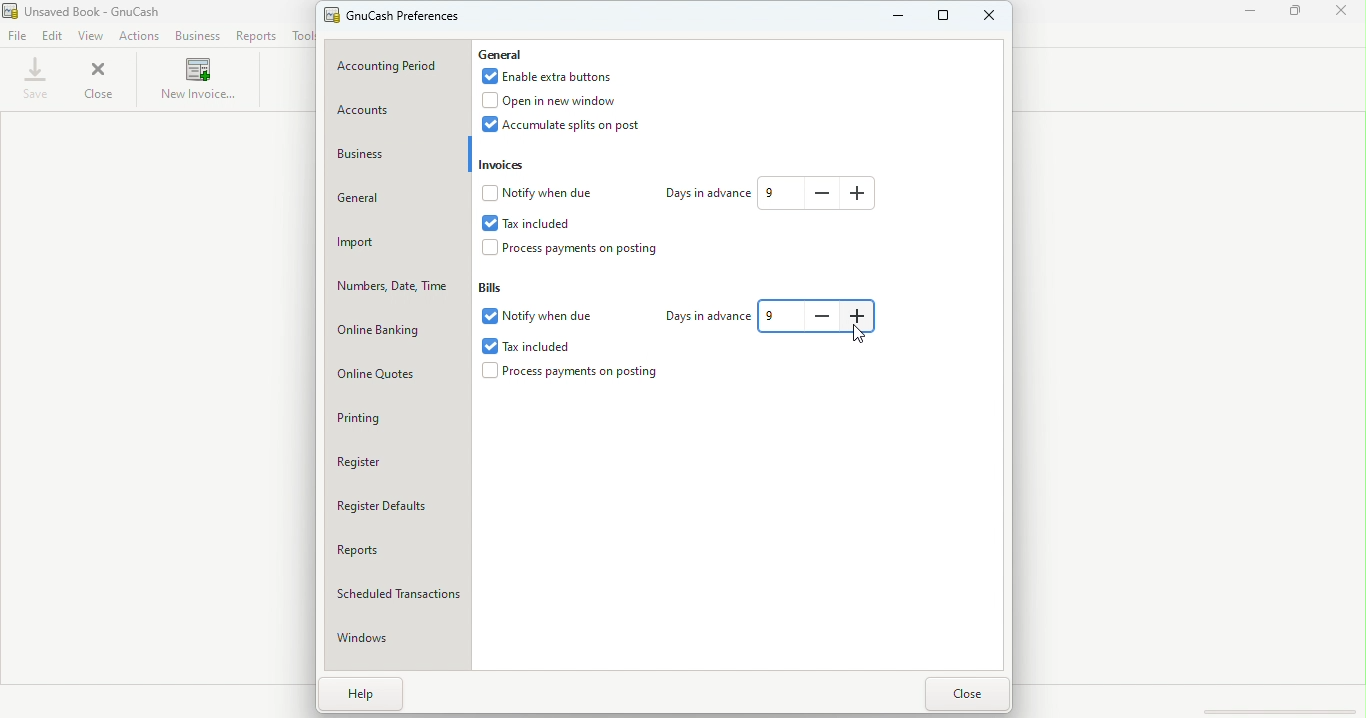  I want to click on Business, so click(200, 35).